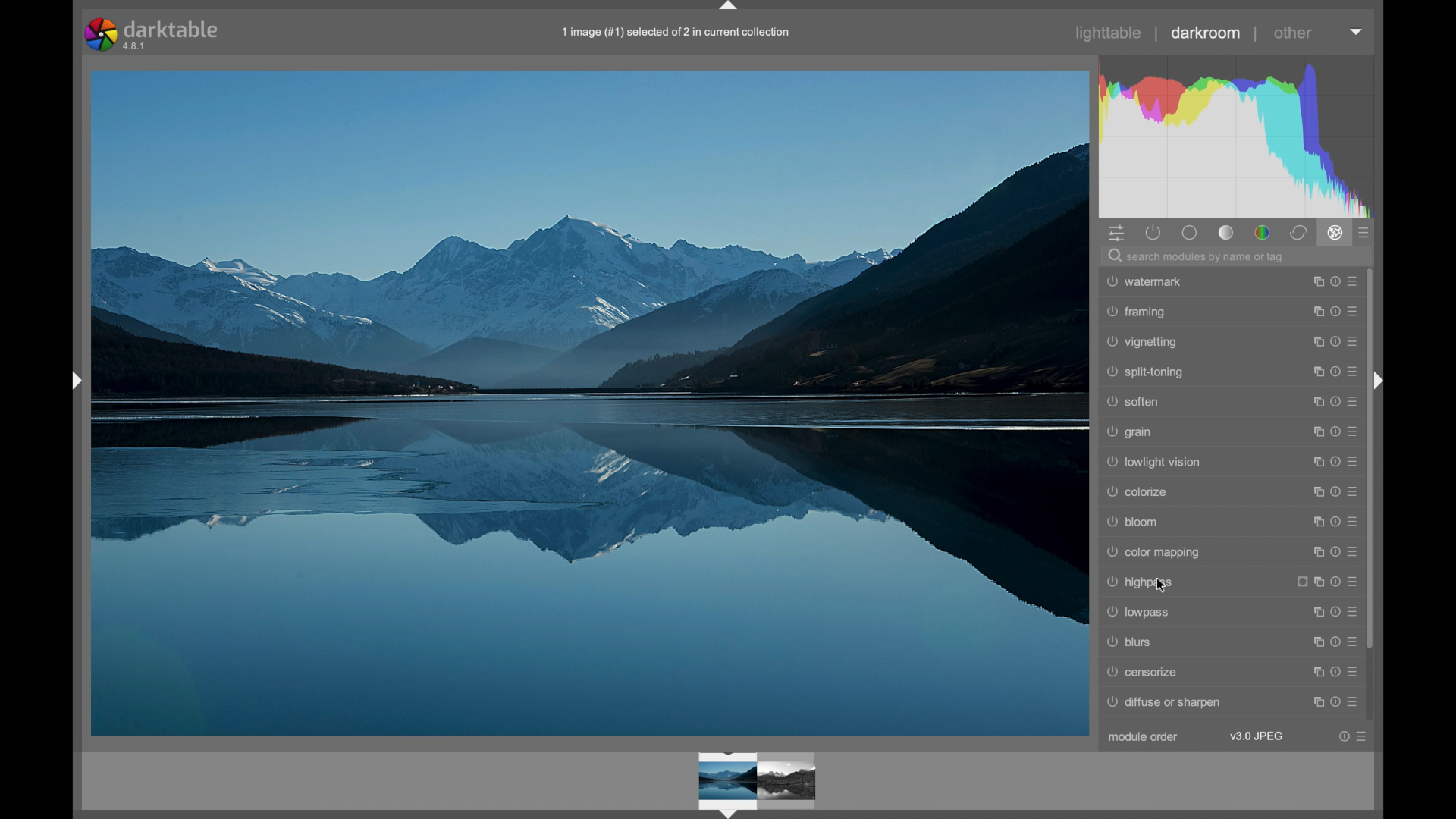 This screenshot has height=819, width=1456. I want to click on more options, so click(1333, 340).